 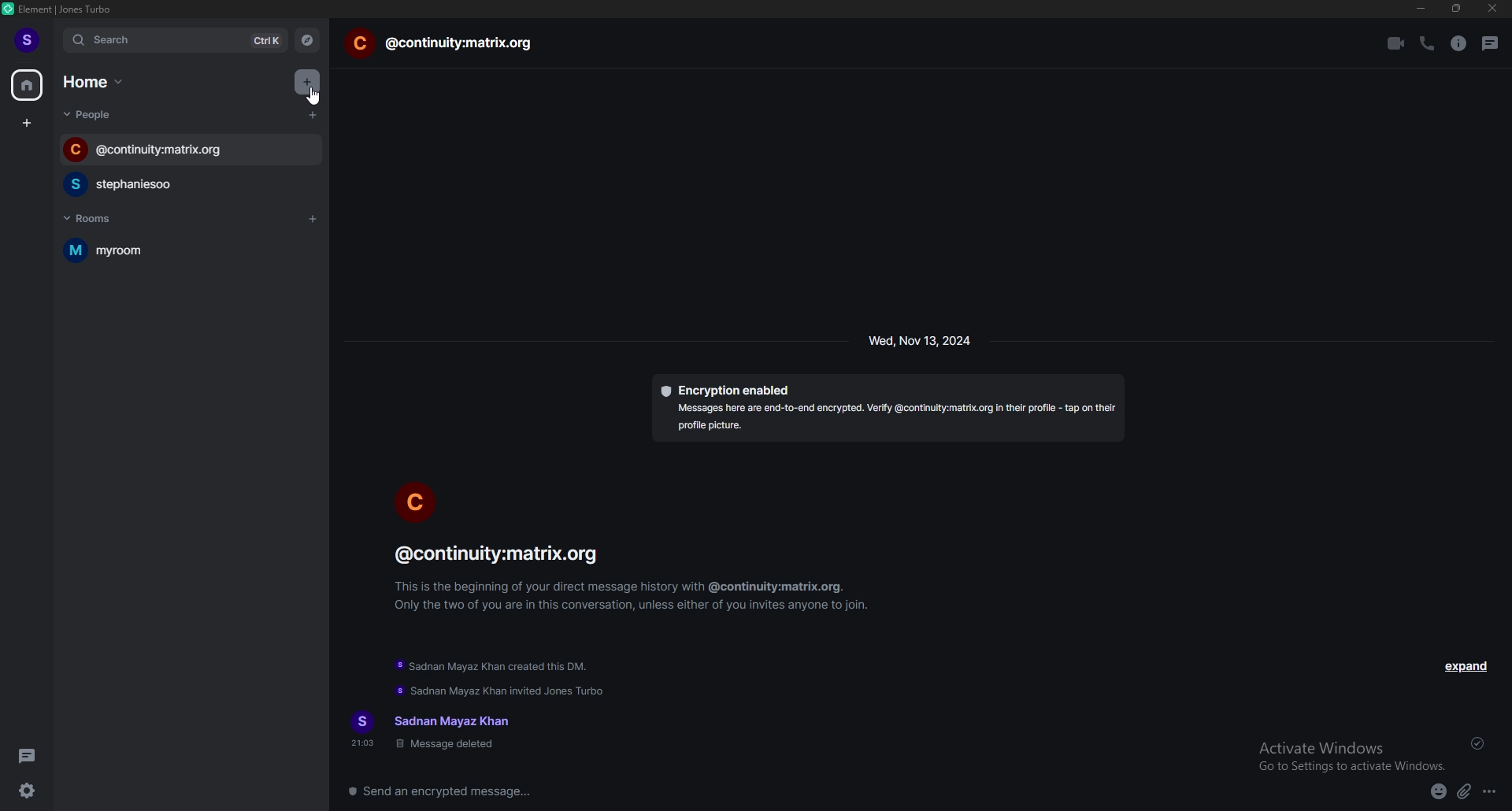 I want to click on voice call, so click(x=1425, y=43).